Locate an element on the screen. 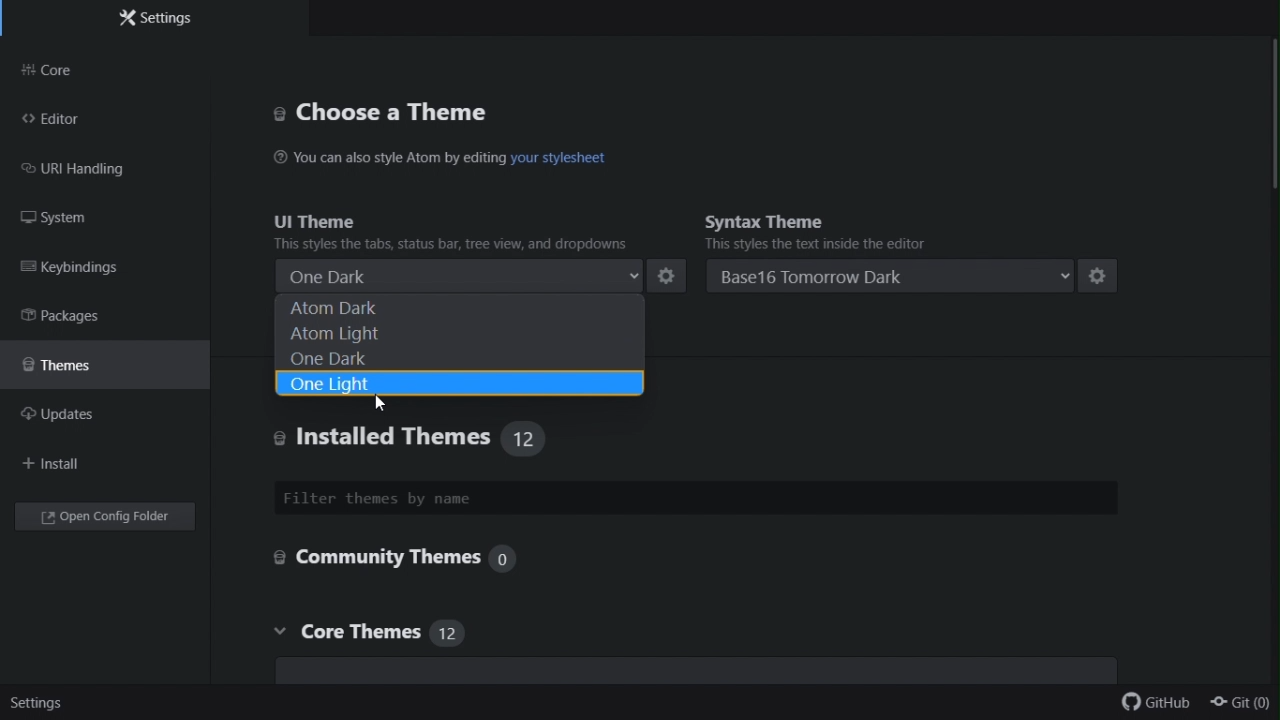 The height and width of the screenshot is (720, 1280). Updates is located at coordinates (74, 416).